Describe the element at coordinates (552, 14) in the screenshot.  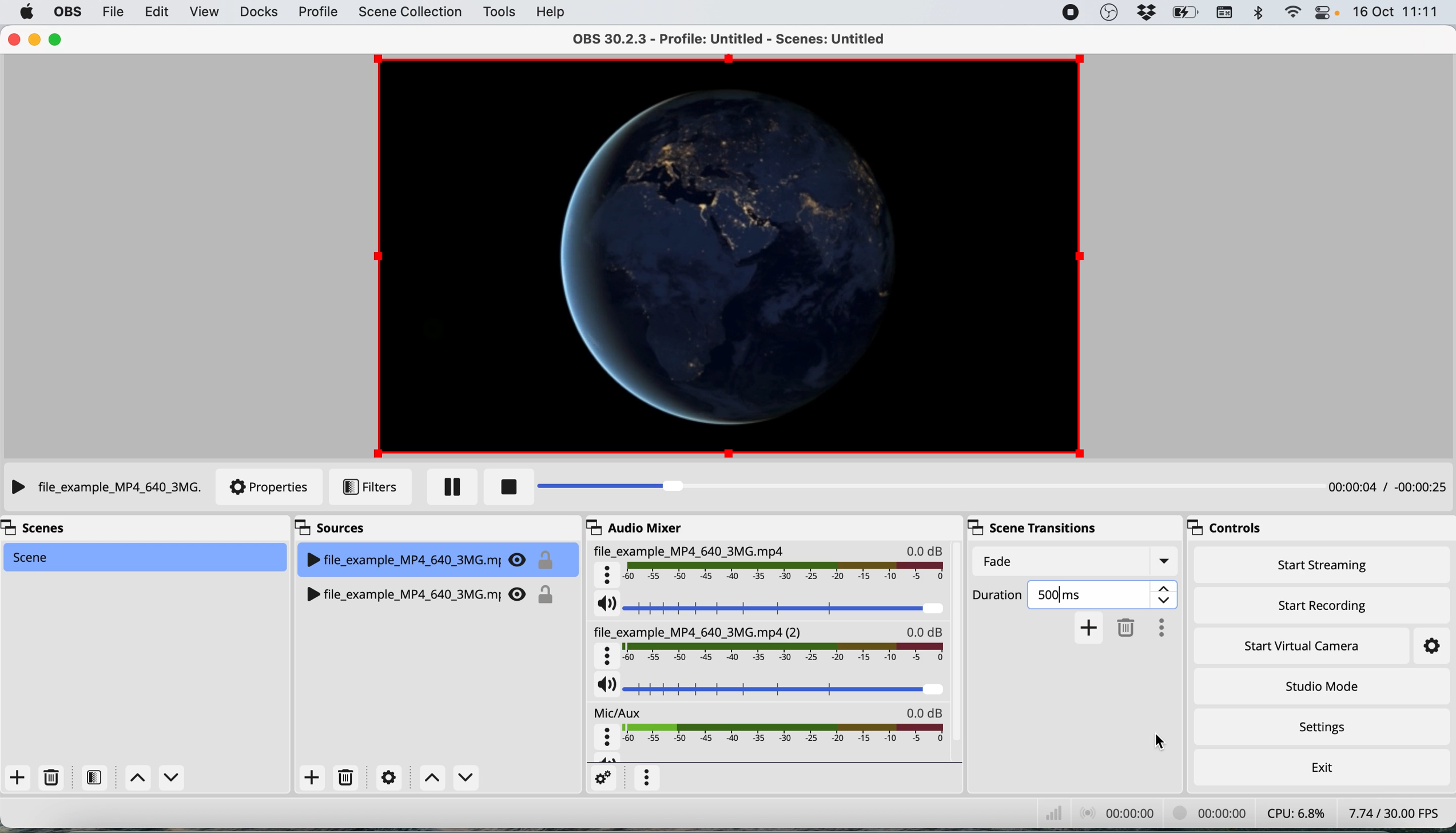
I see `help` at that location.